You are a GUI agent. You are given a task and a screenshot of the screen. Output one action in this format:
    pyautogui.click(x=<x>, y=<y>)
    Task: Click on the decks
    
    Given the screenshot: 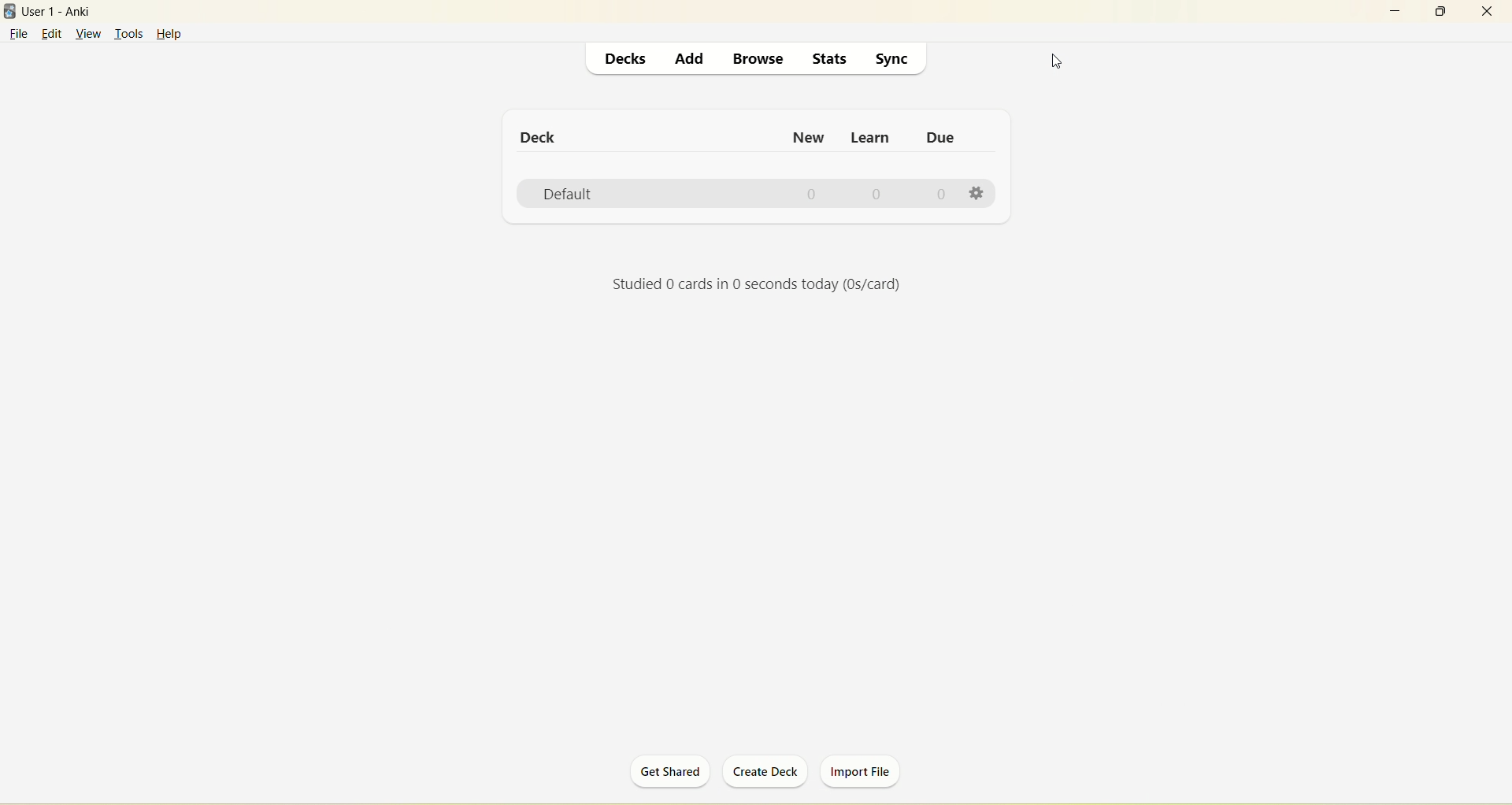 What is the action you would take?
    pyautogui.click(x=629, y=59)
    